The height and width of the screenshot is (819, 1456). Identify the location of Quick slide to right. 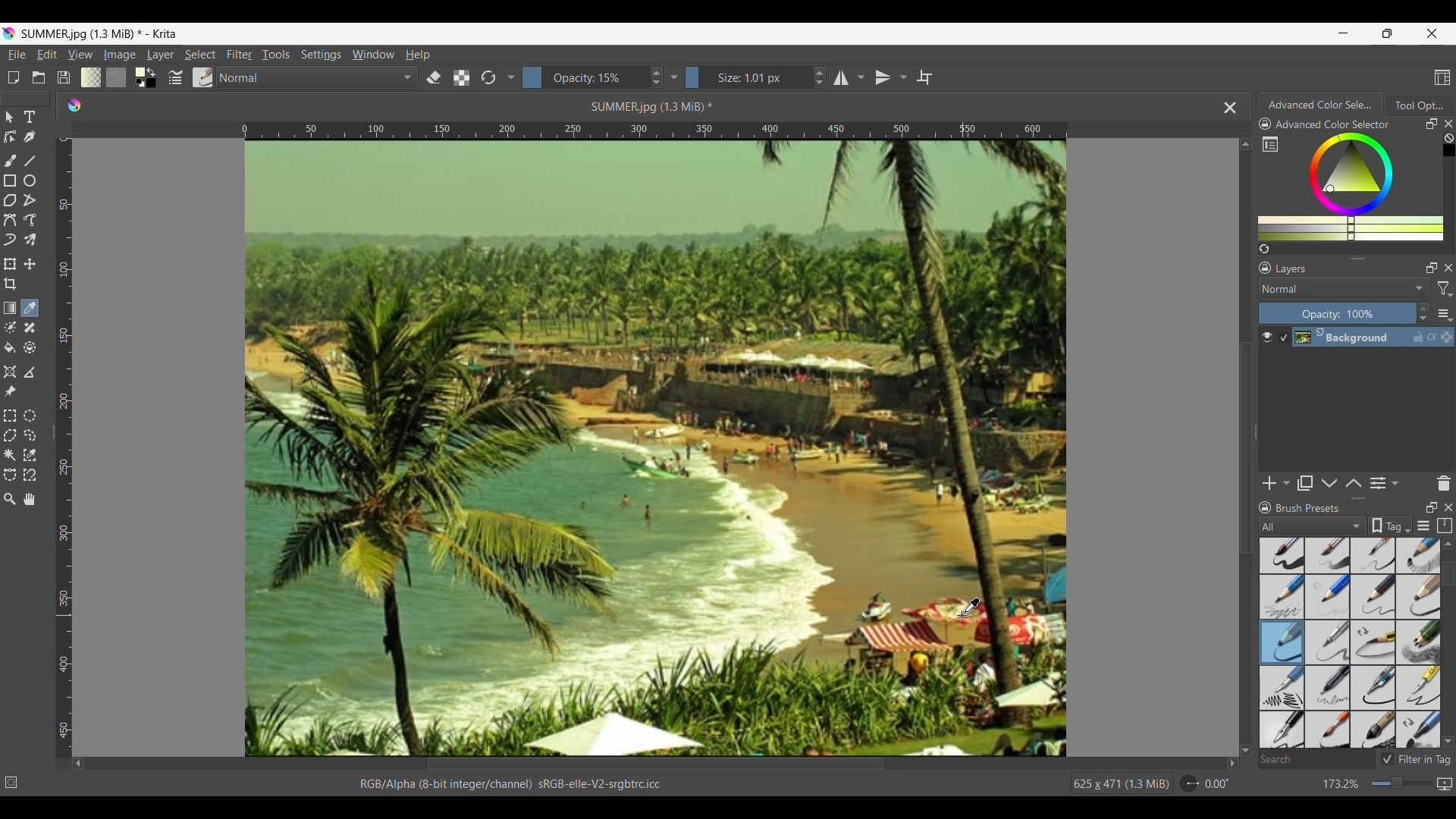
(1232, 764).